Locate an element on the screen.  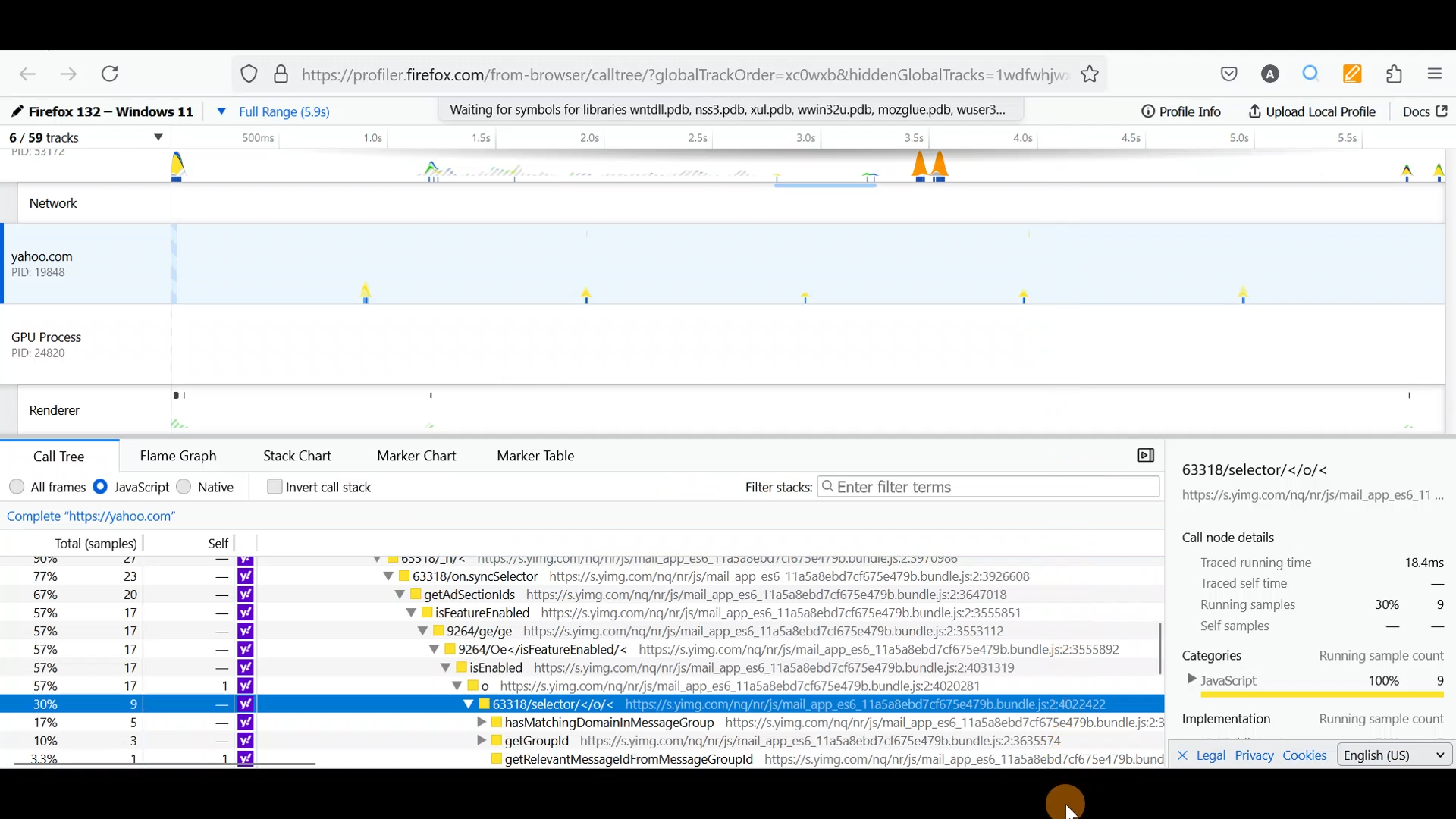
Invert call stack is located at coordinates (320, 490).